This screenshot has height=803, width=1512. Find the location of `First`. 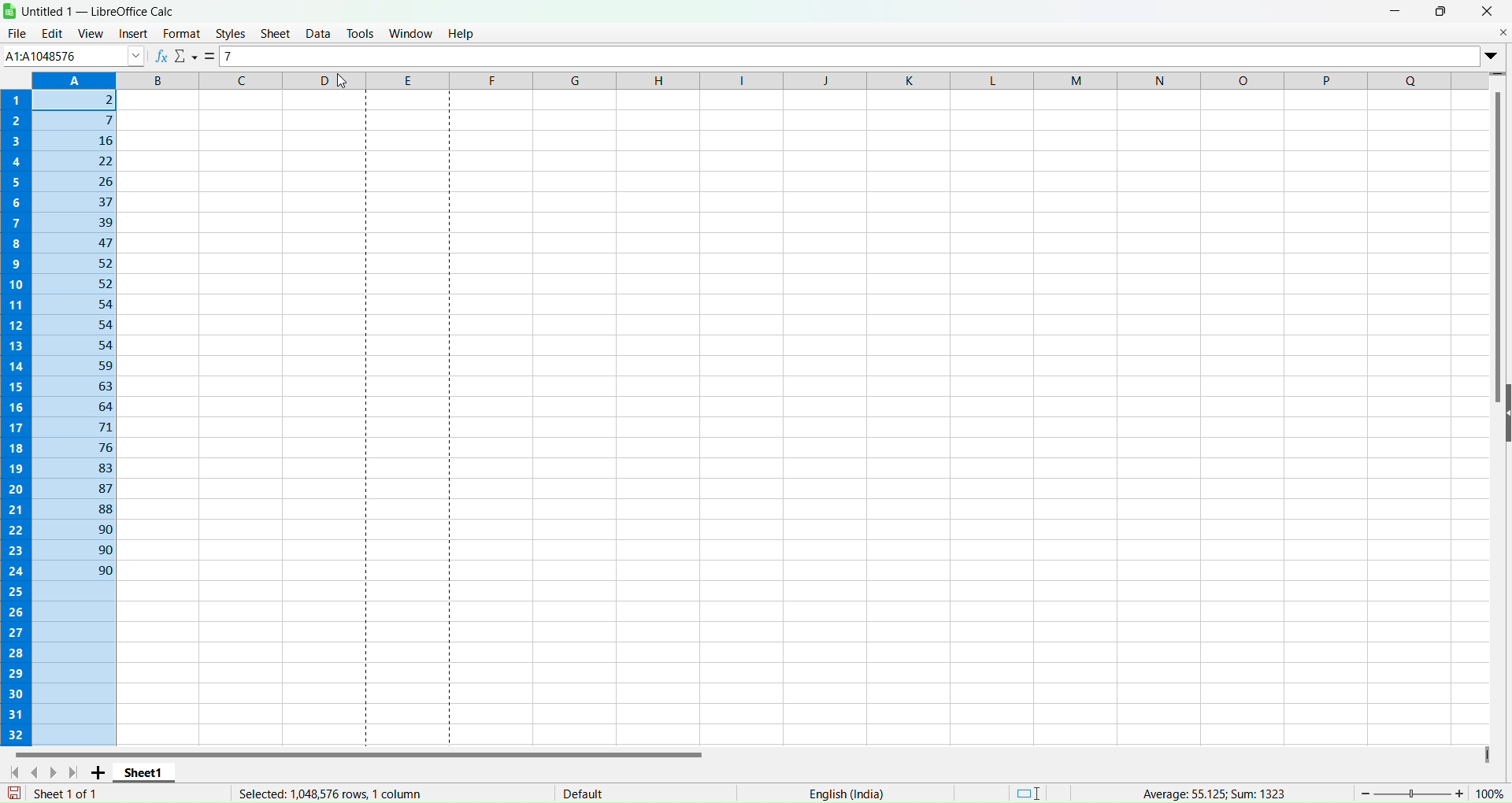

First is located at coordinates (15, 772).